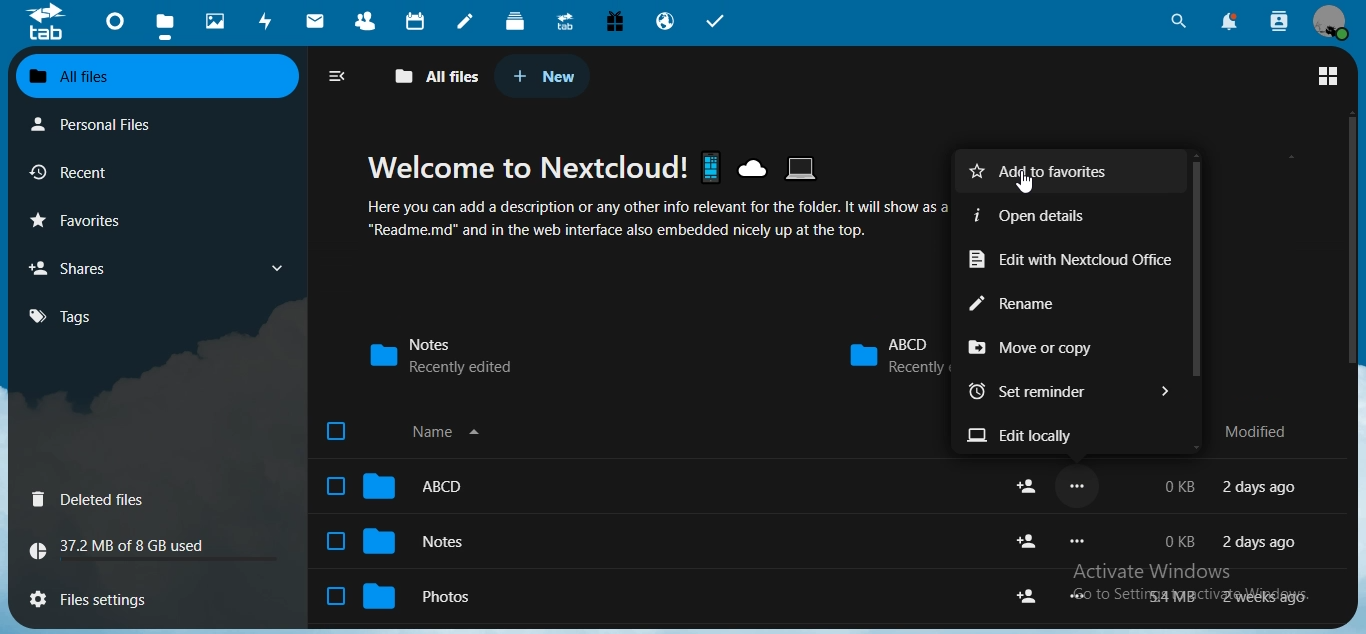 The height and width of the screenshot is (634, 1366). I want to click on text, so click(125, 542).